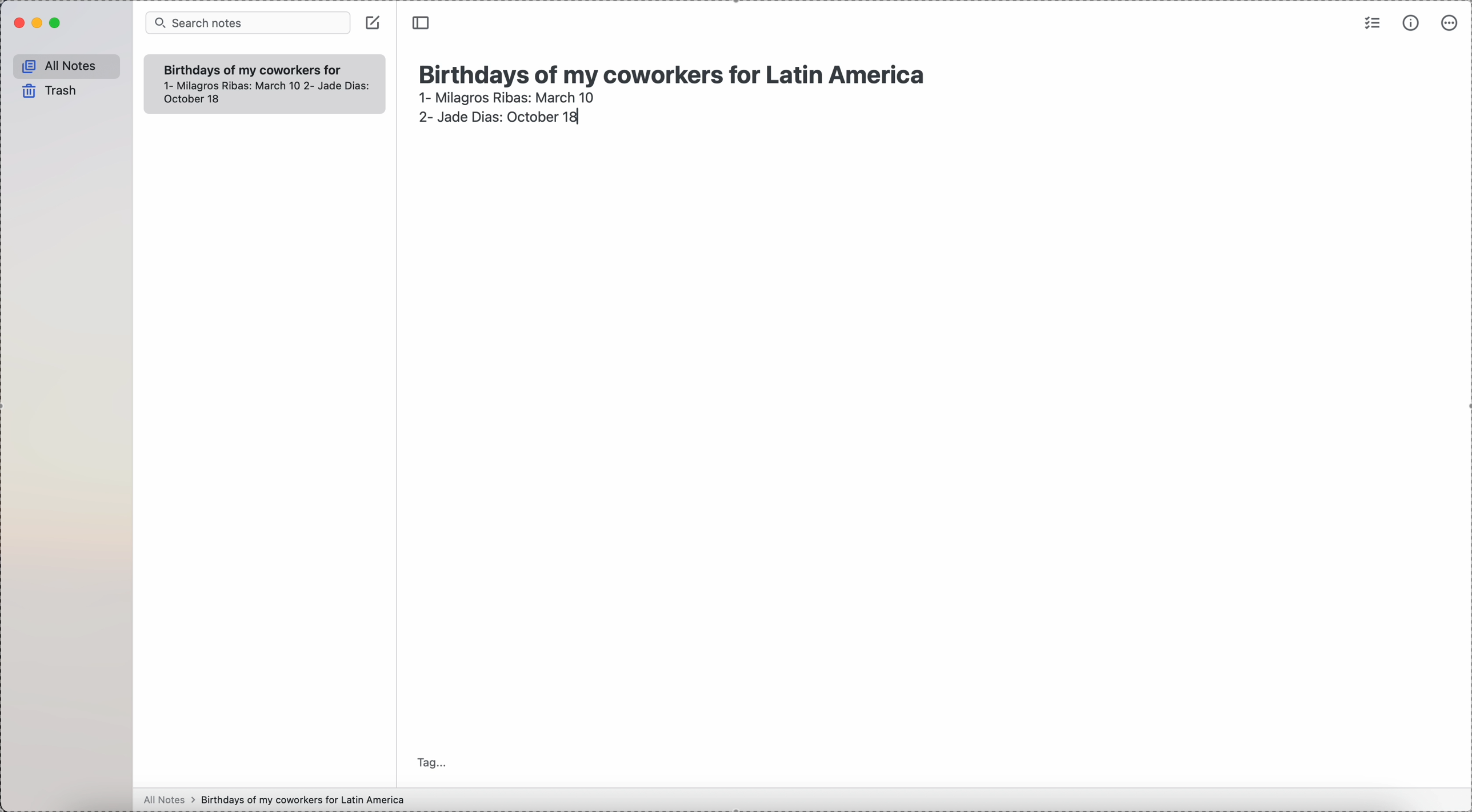 The image size is (1472, 812). I want to click on trash, so click(51, 91).